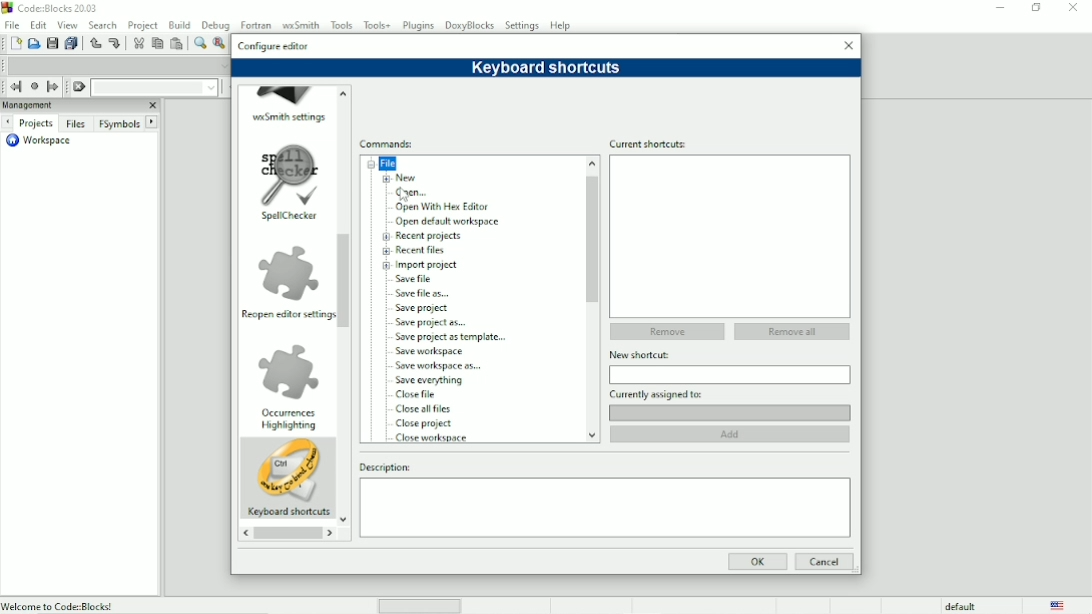 This screenshot has width=1092, height=614. Describe the element at coordinates (344, 521) in the screenshot. I see `Down` at that location.